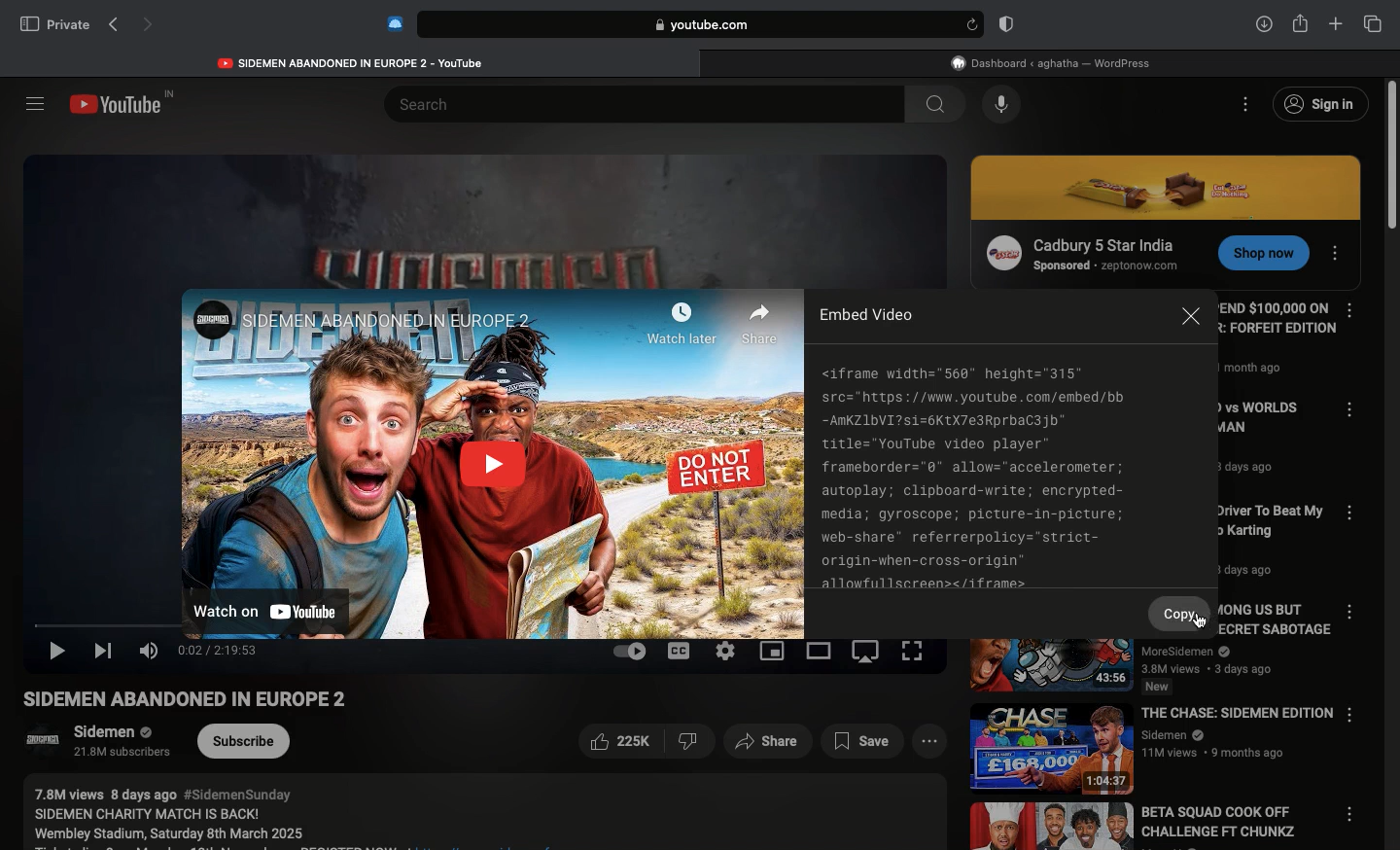 The image size is (1400, 850). What do you see at coordinates (933, 104) in the screenshot?
I see `search` at bounding box center [933, 104].